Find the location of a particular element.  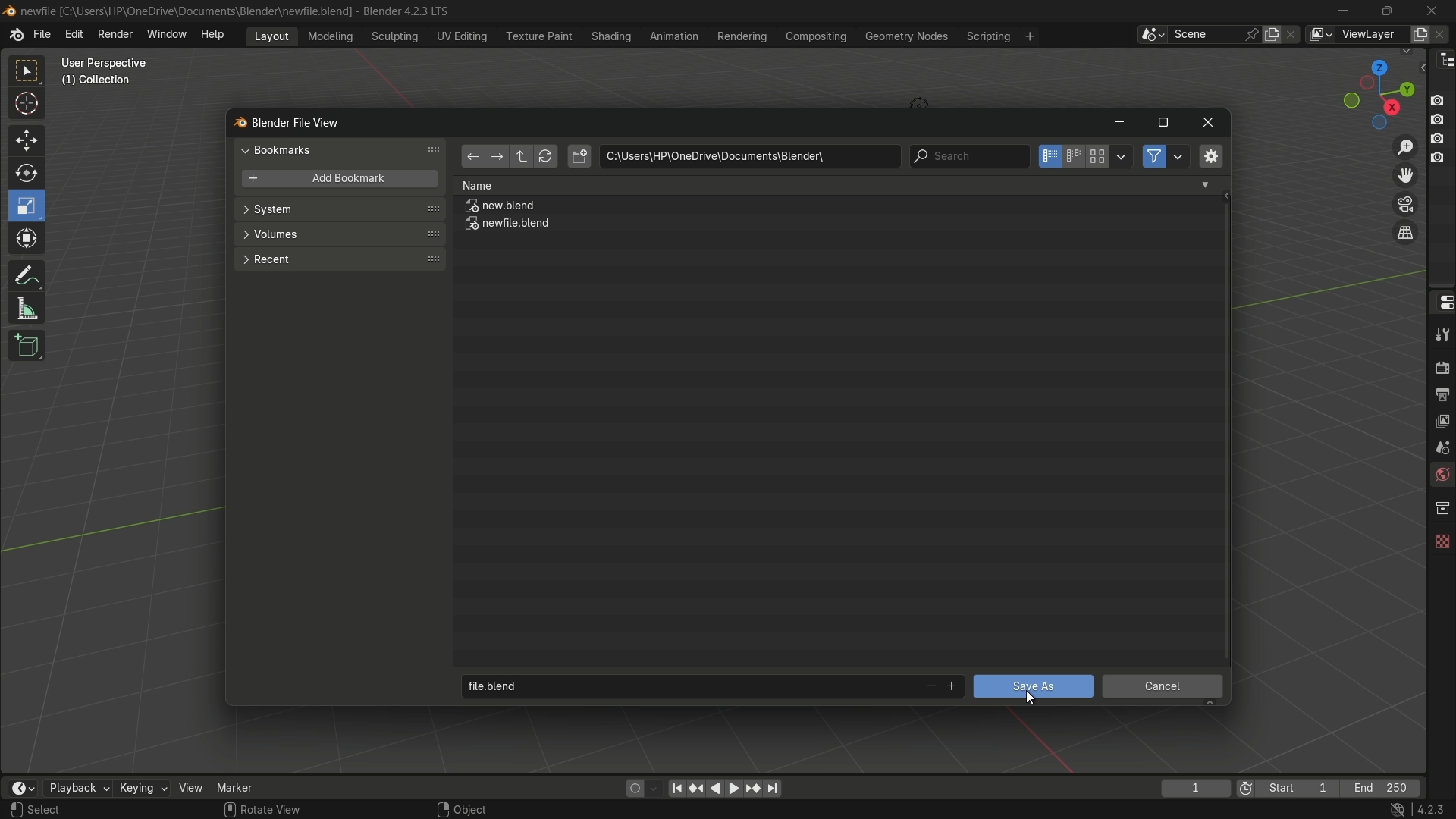

window menu is located at coordinates (168, 36).